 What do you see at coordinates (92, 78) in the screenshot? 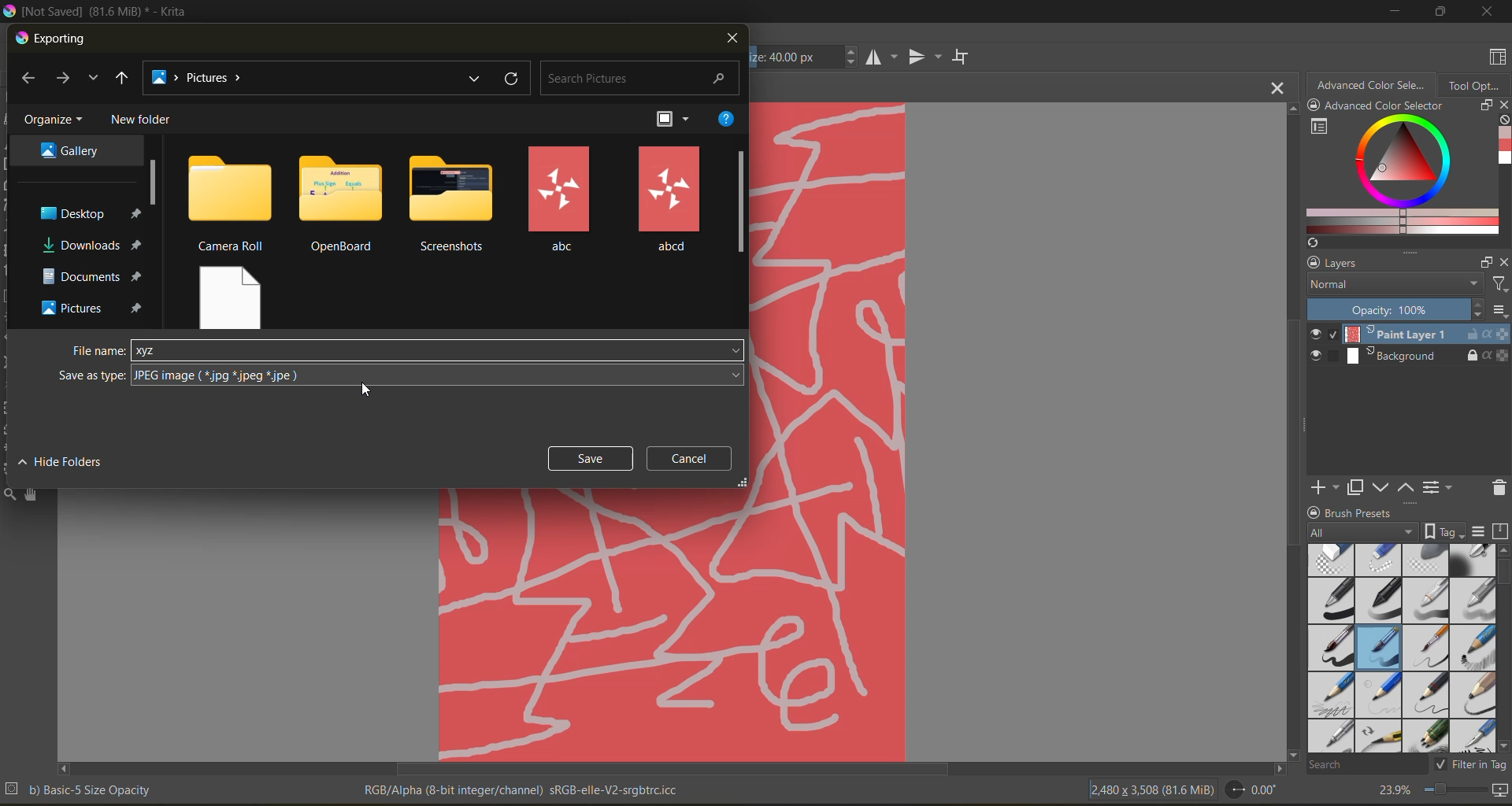
I see `recent locations` at bounding box center [92, 78].